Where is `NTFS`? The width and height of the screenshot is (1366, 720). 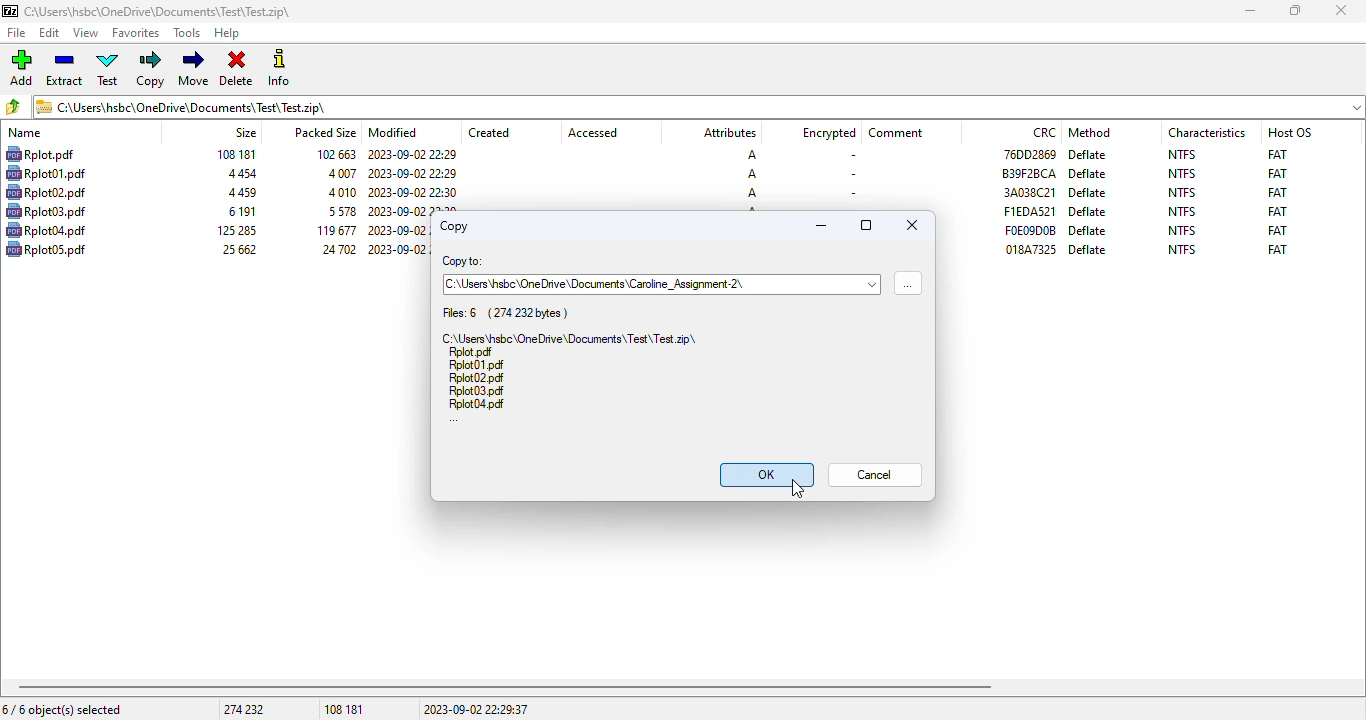 NTFS is located at coordinates (1182, 174).